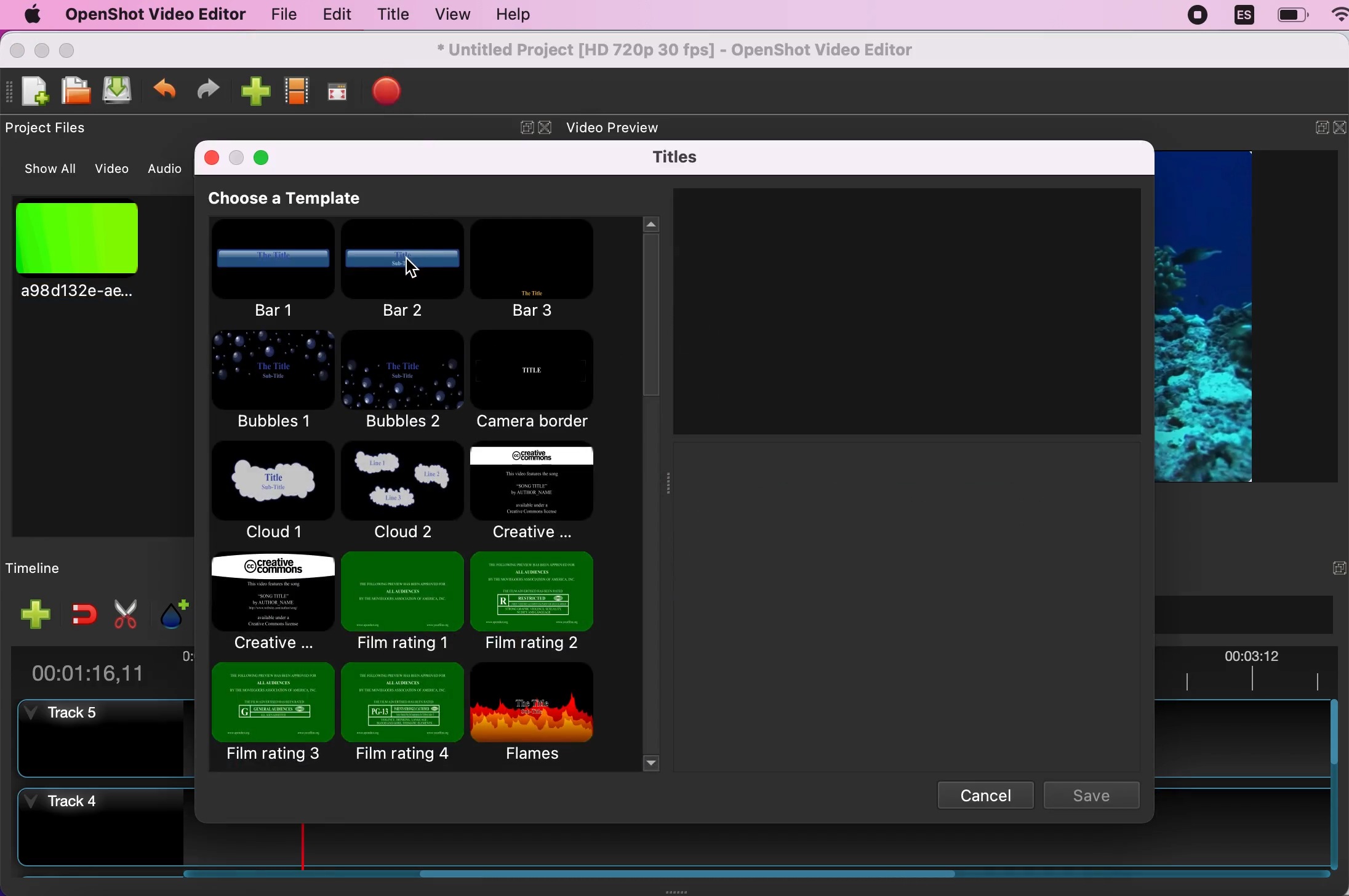 Image resolution: width=1349 pixels, height=896 pixels. I want to click on choose a template, so click(310, 199).